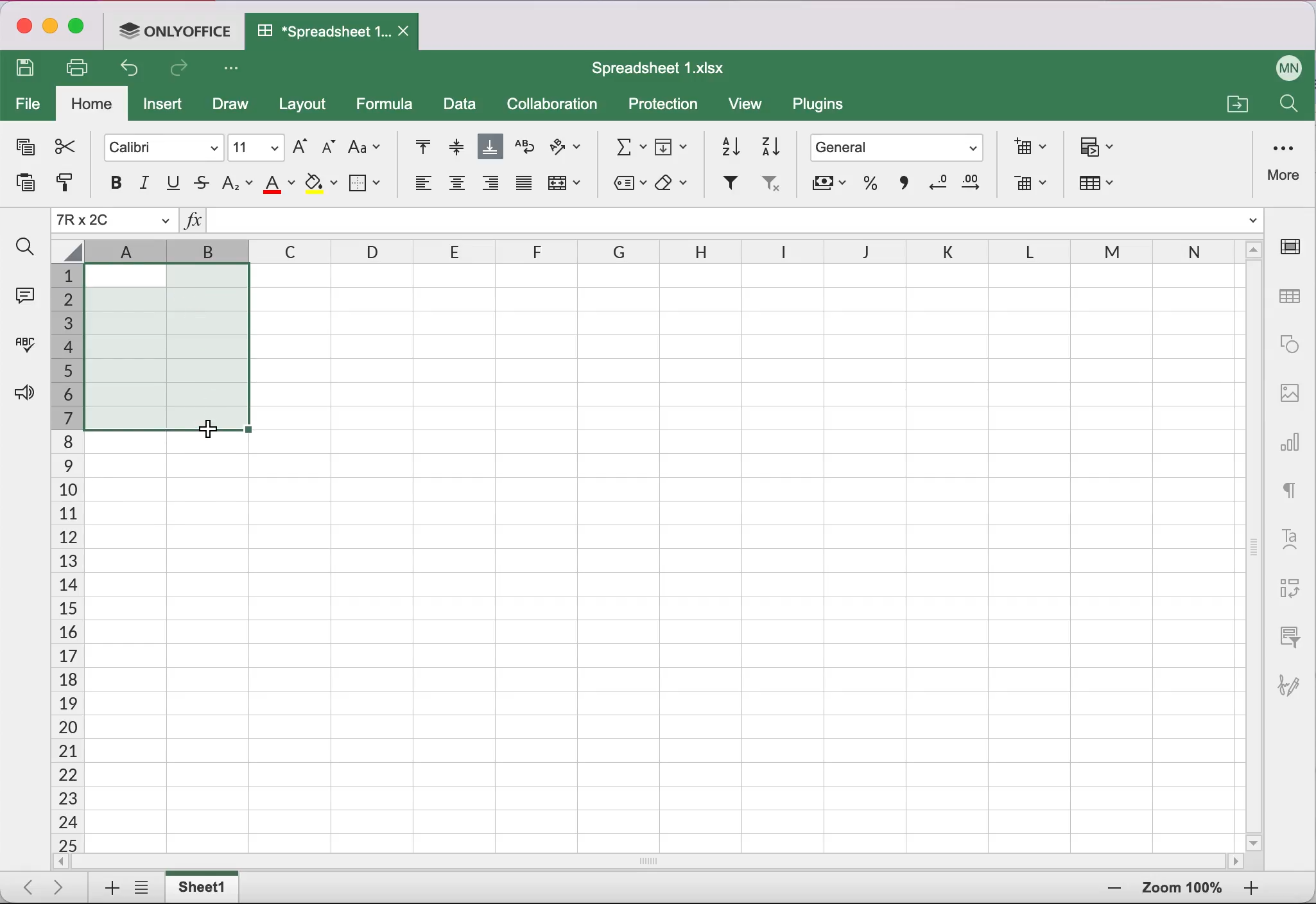  What do you see at coordinates (321, 184) in the screenshot?
I see `fill color` at bounding box center [321, 184].